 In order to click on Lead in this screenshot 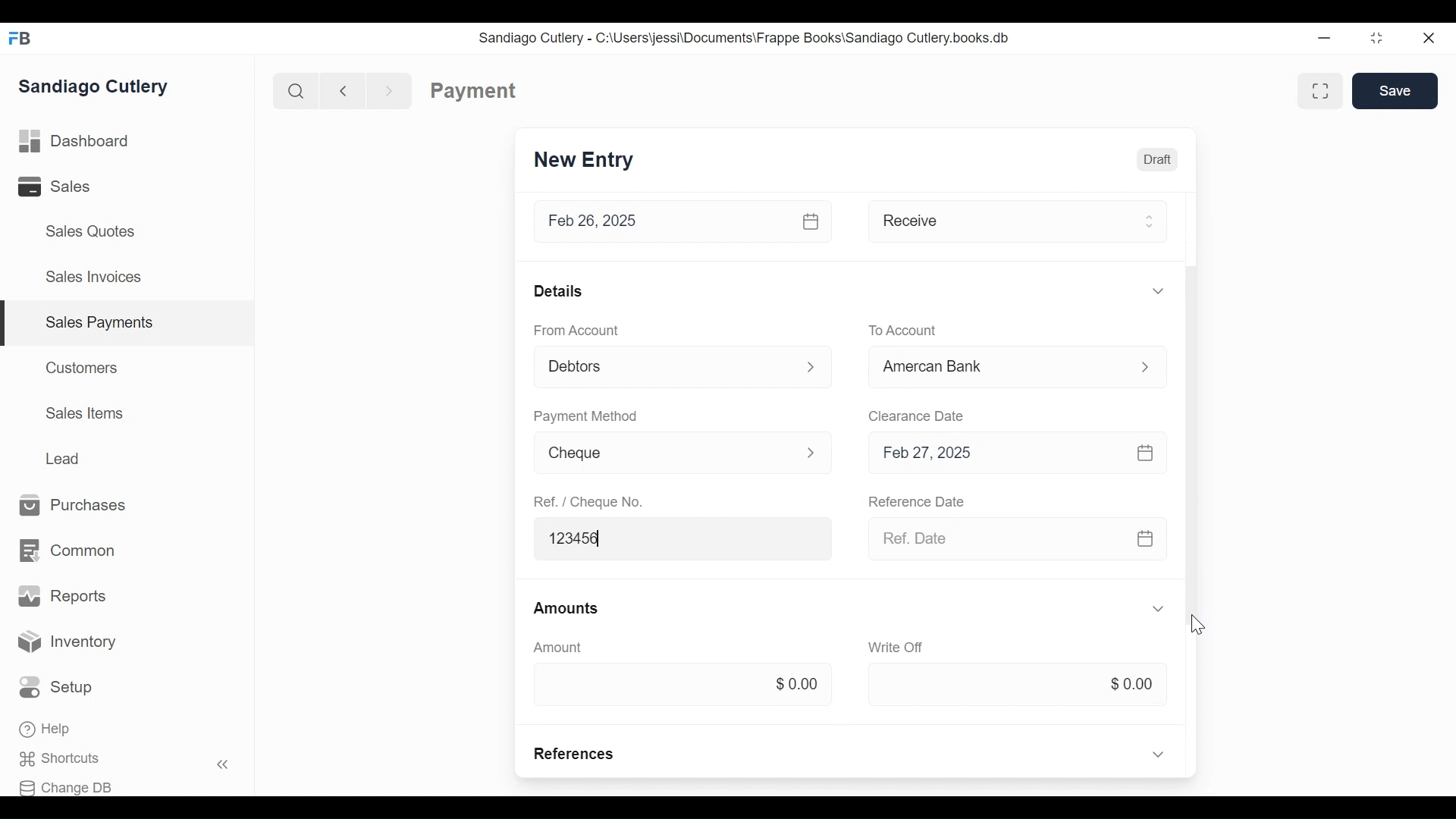, I will do `click(65, 457)`.